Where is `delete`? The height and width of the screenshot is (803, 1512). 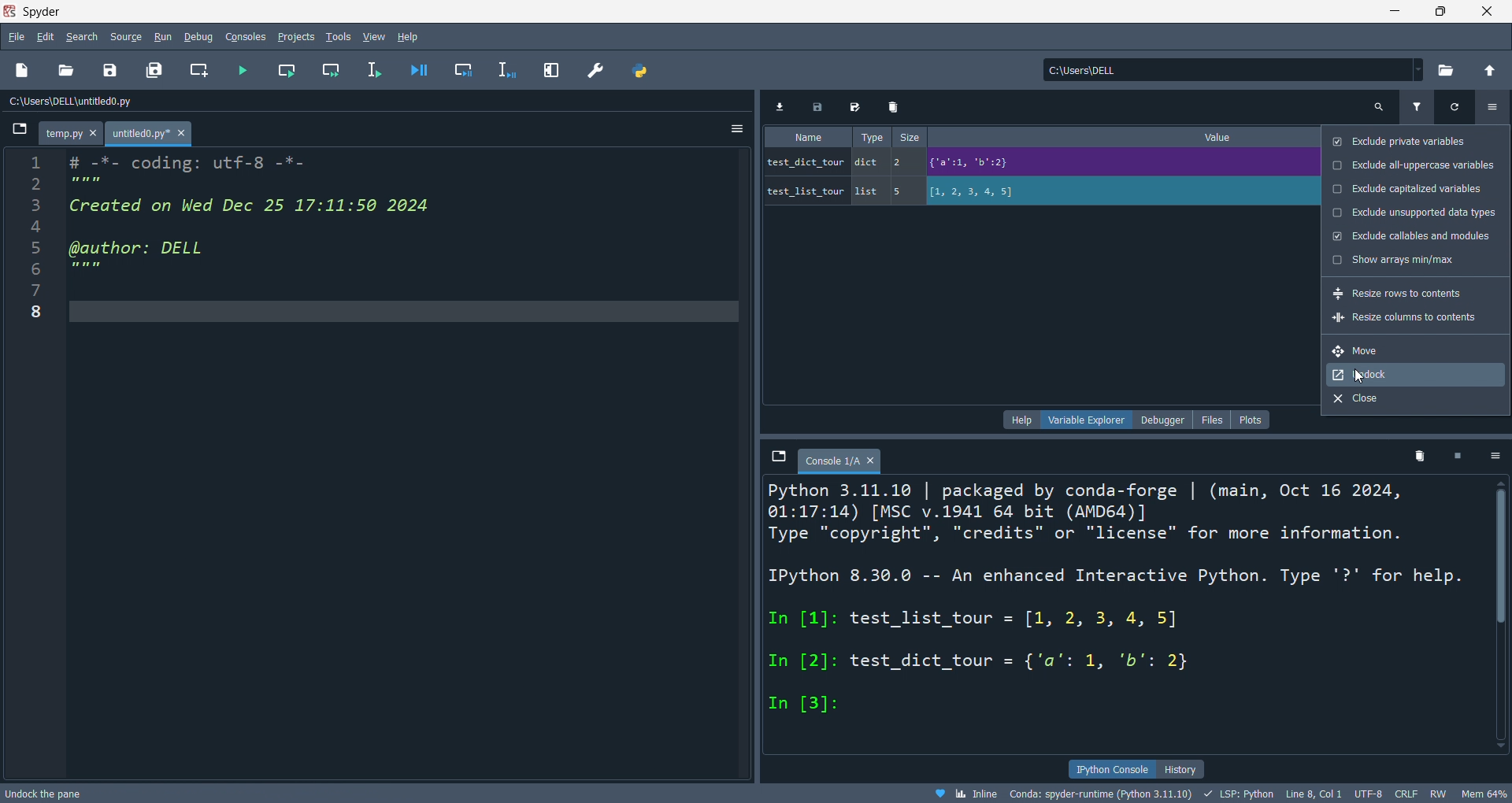
delete is located at coordinates (1421, 457).